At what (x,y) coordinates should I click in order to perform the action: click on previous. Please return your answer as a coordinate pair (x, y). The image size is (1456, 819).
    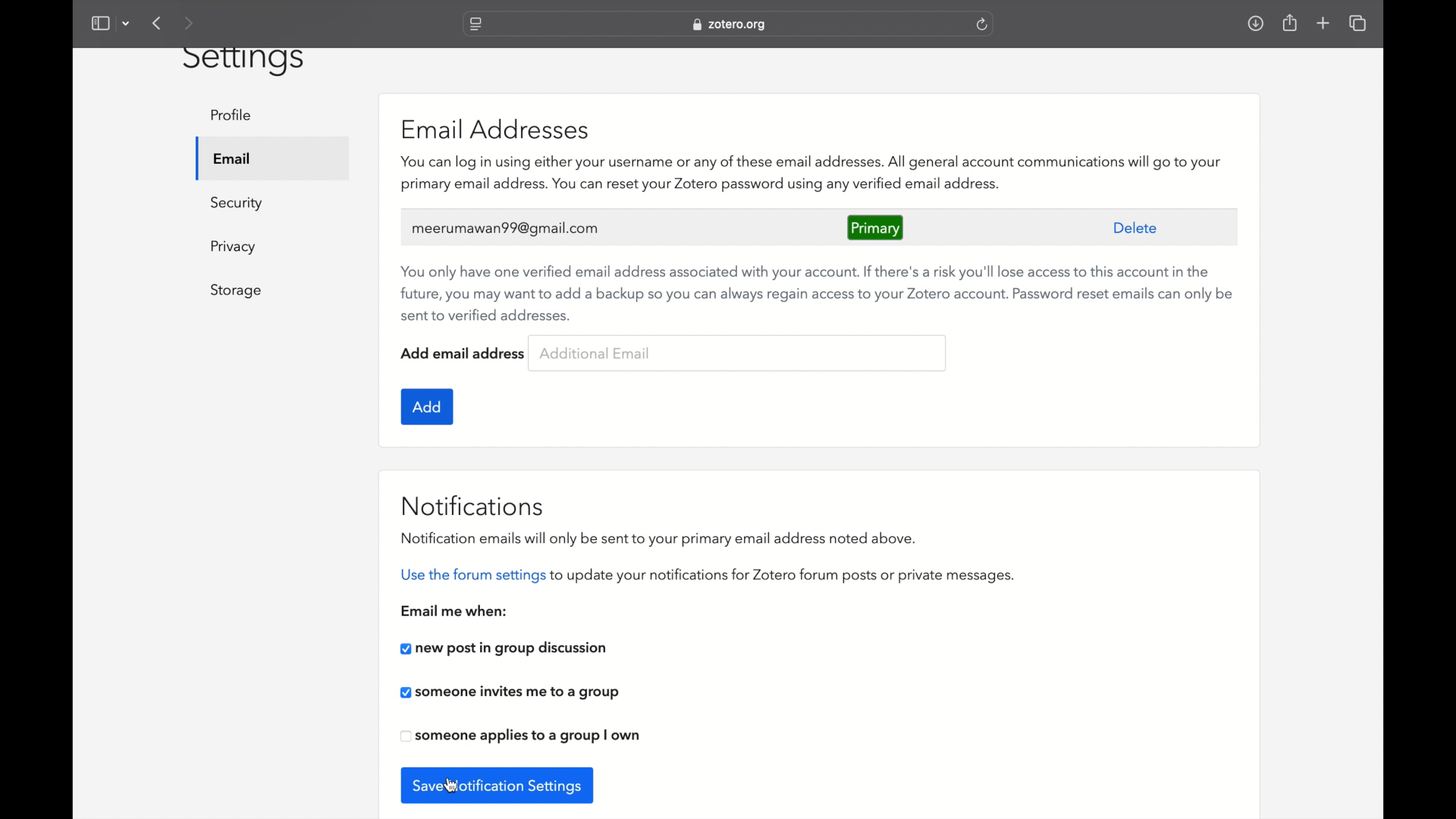
    Looking at the image, I should click on (158, 23).